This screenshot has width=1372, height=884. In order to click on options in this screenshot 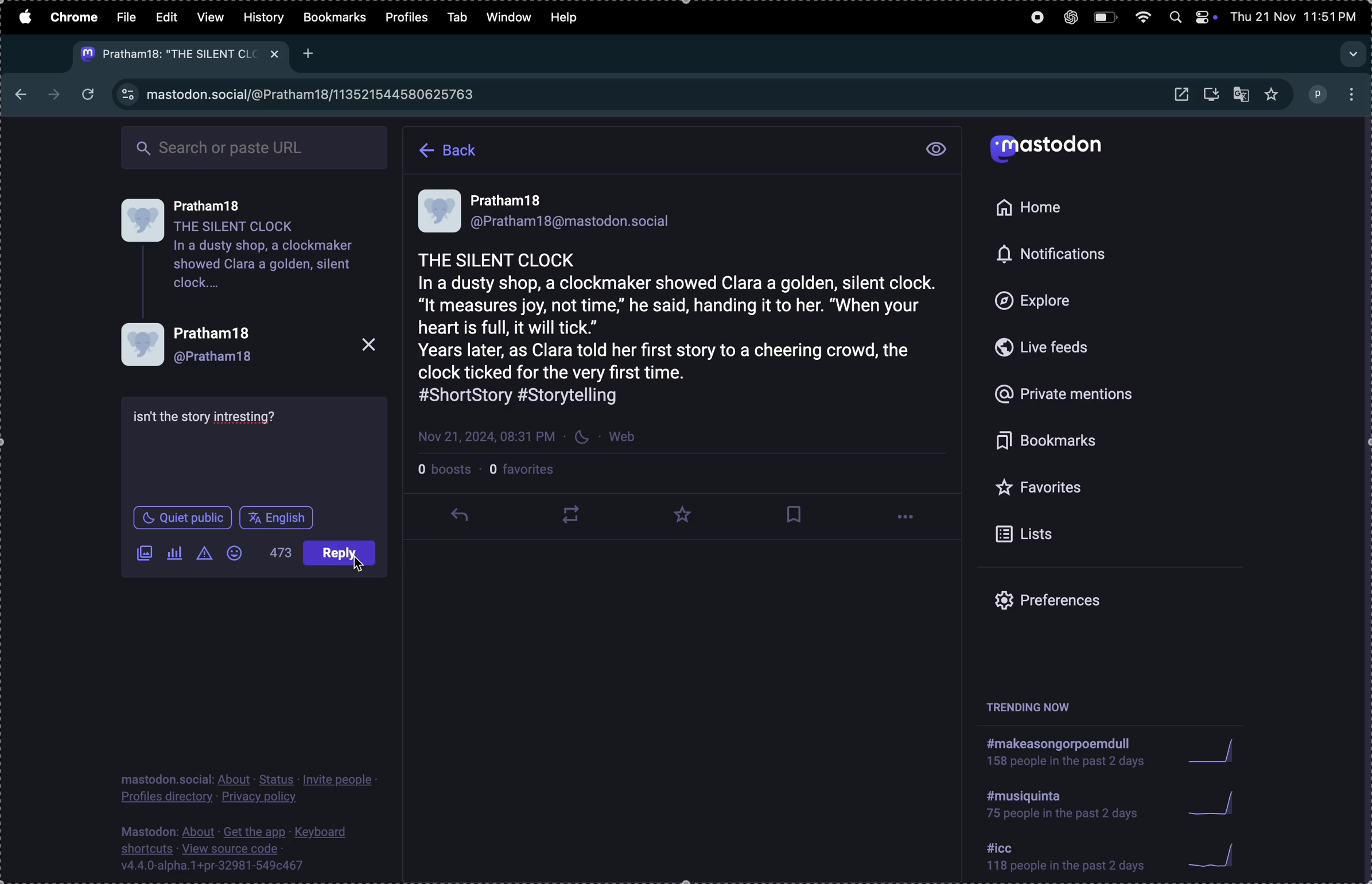, I will do `click(1352, 95)`.